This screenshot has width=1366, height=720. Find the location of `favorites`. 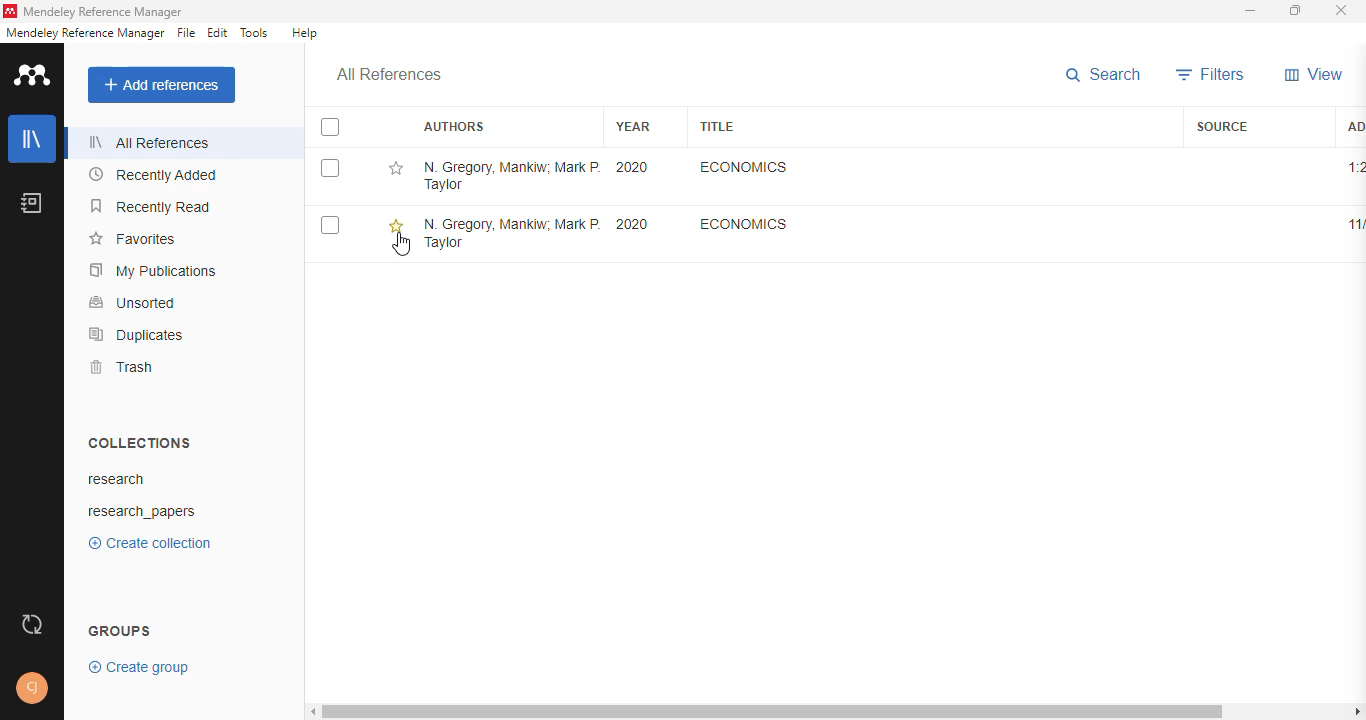

favorites is located at coordinates (132, 239).